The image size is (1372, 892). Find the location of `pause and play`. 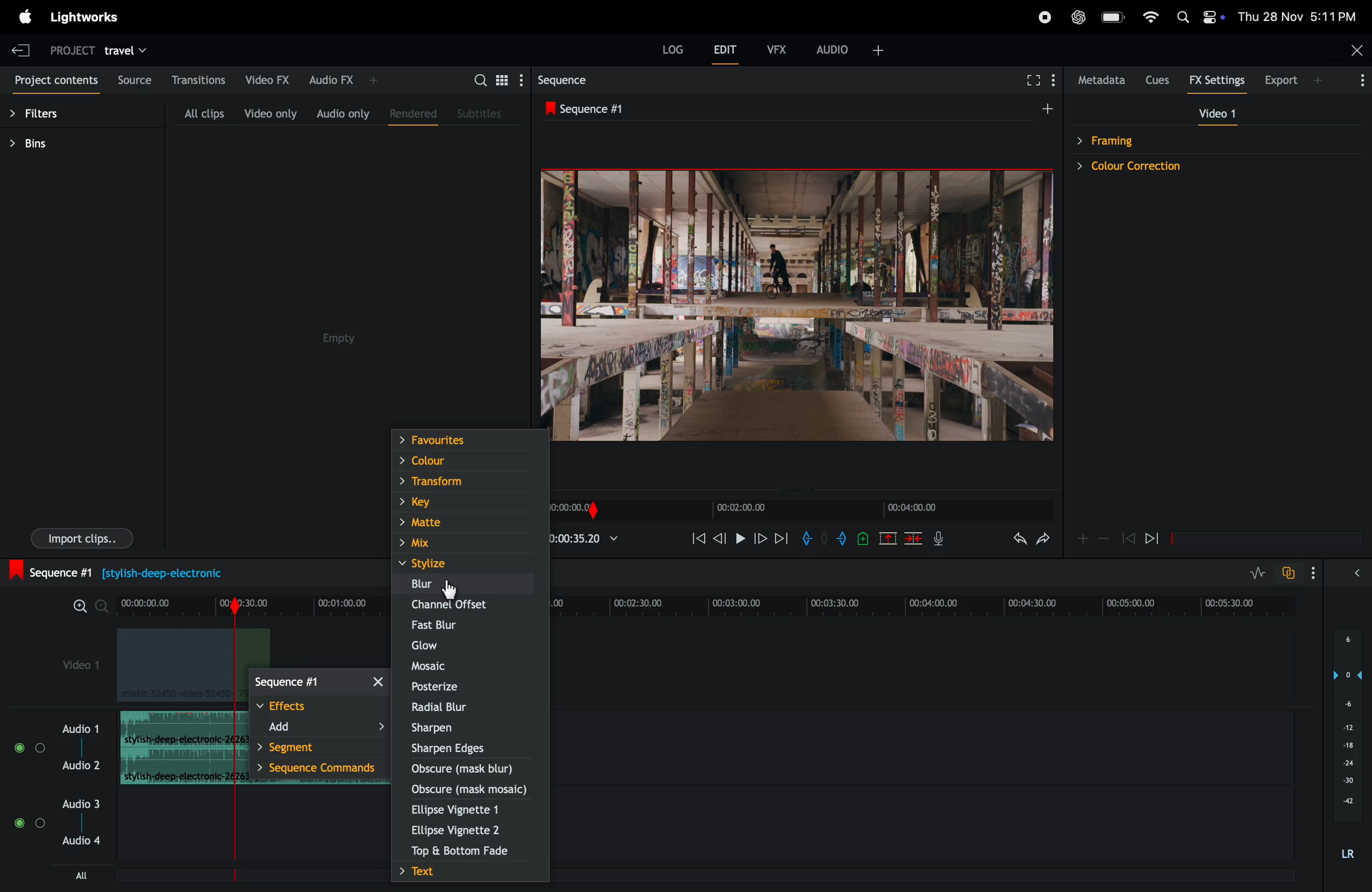

pause and play is located at coordinates (740, 537).